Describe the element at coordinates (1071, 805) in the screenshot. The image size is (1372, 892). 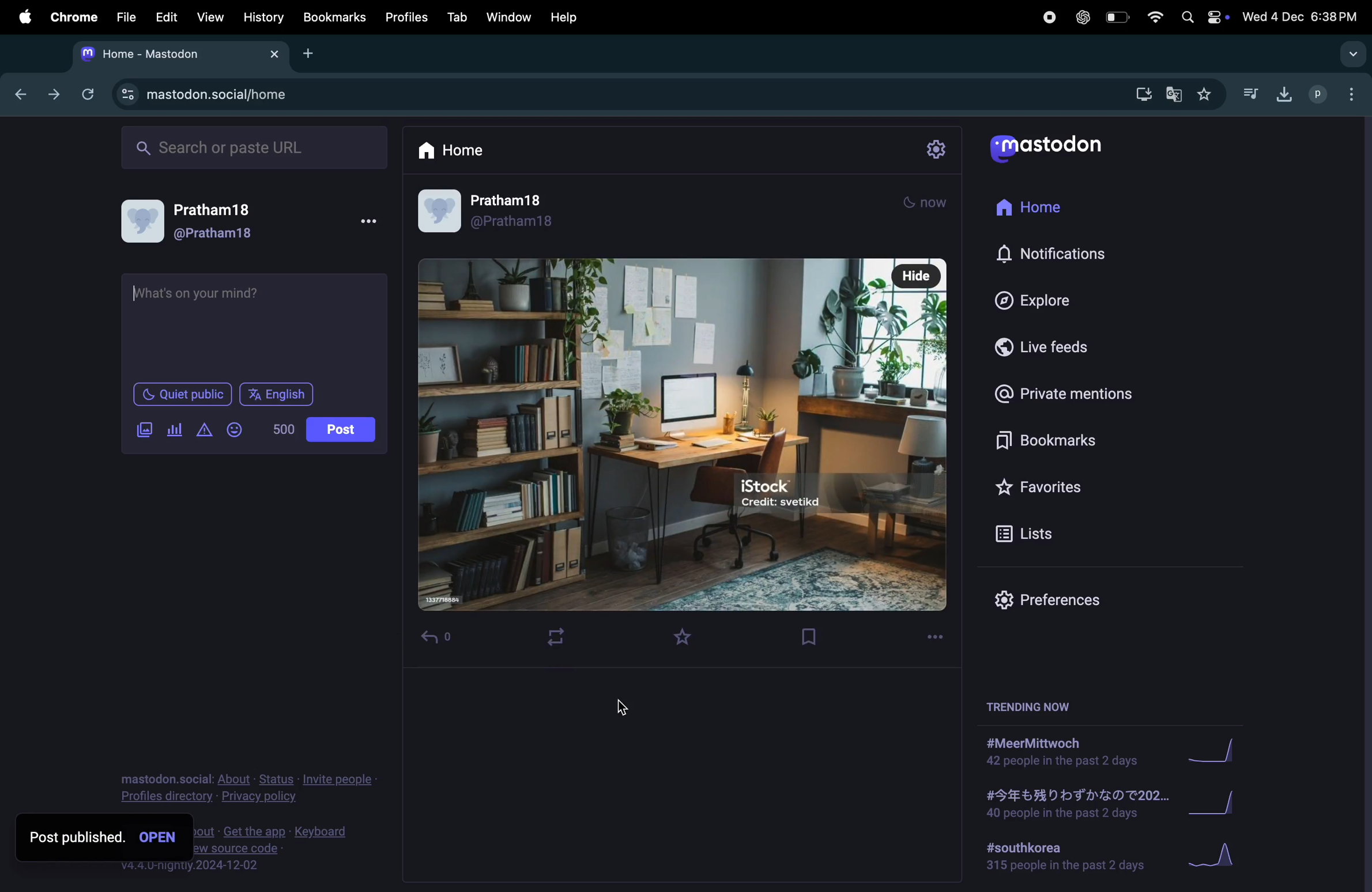
I see `japanese` at that location.